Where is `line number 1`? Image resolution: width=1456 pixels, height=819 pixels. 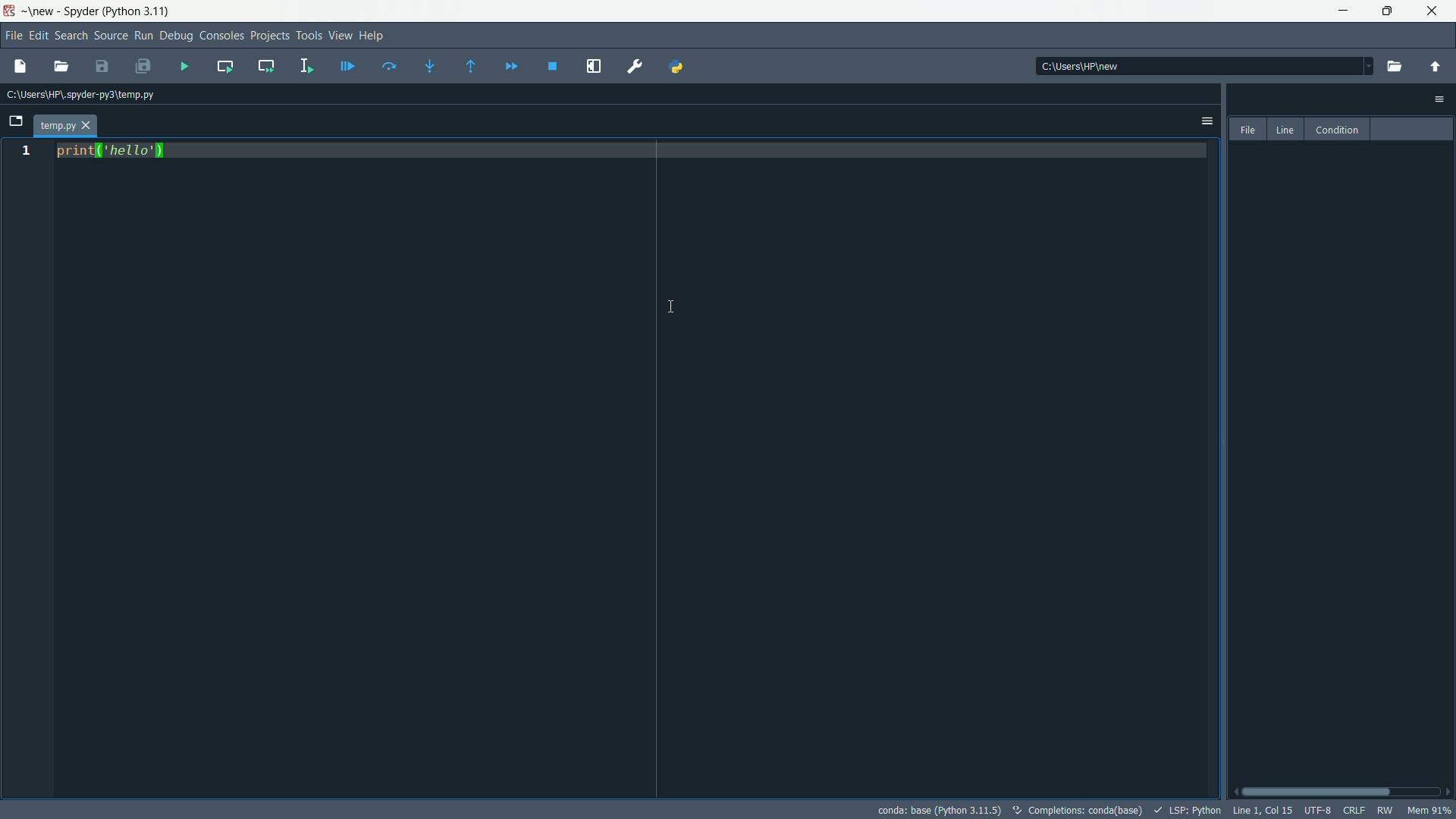 line number 1 is located at coordinates (24, 152).